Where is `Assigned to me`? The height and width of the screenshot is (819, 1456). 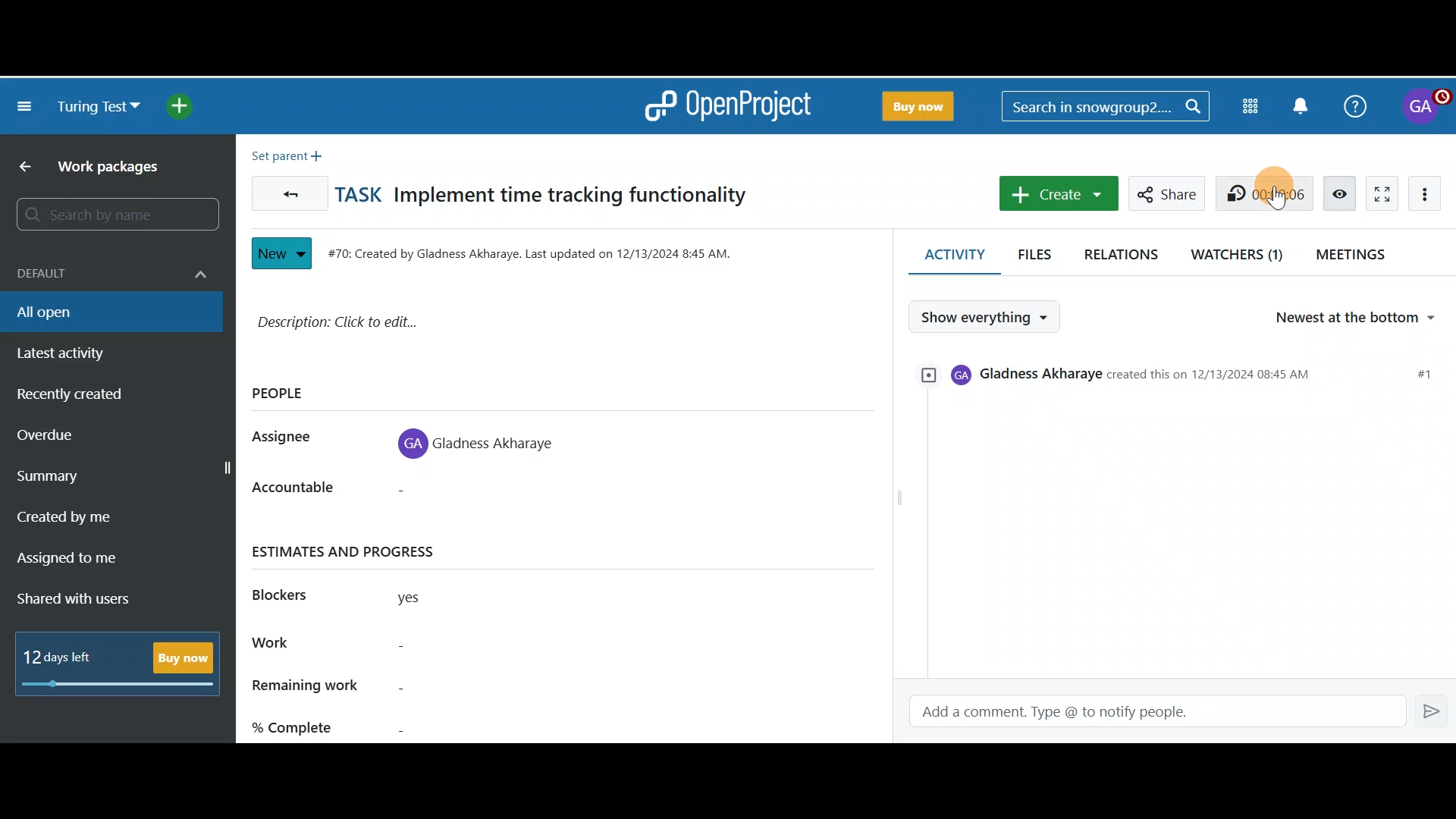 Assigned to me is located at coordinates (88, 560).